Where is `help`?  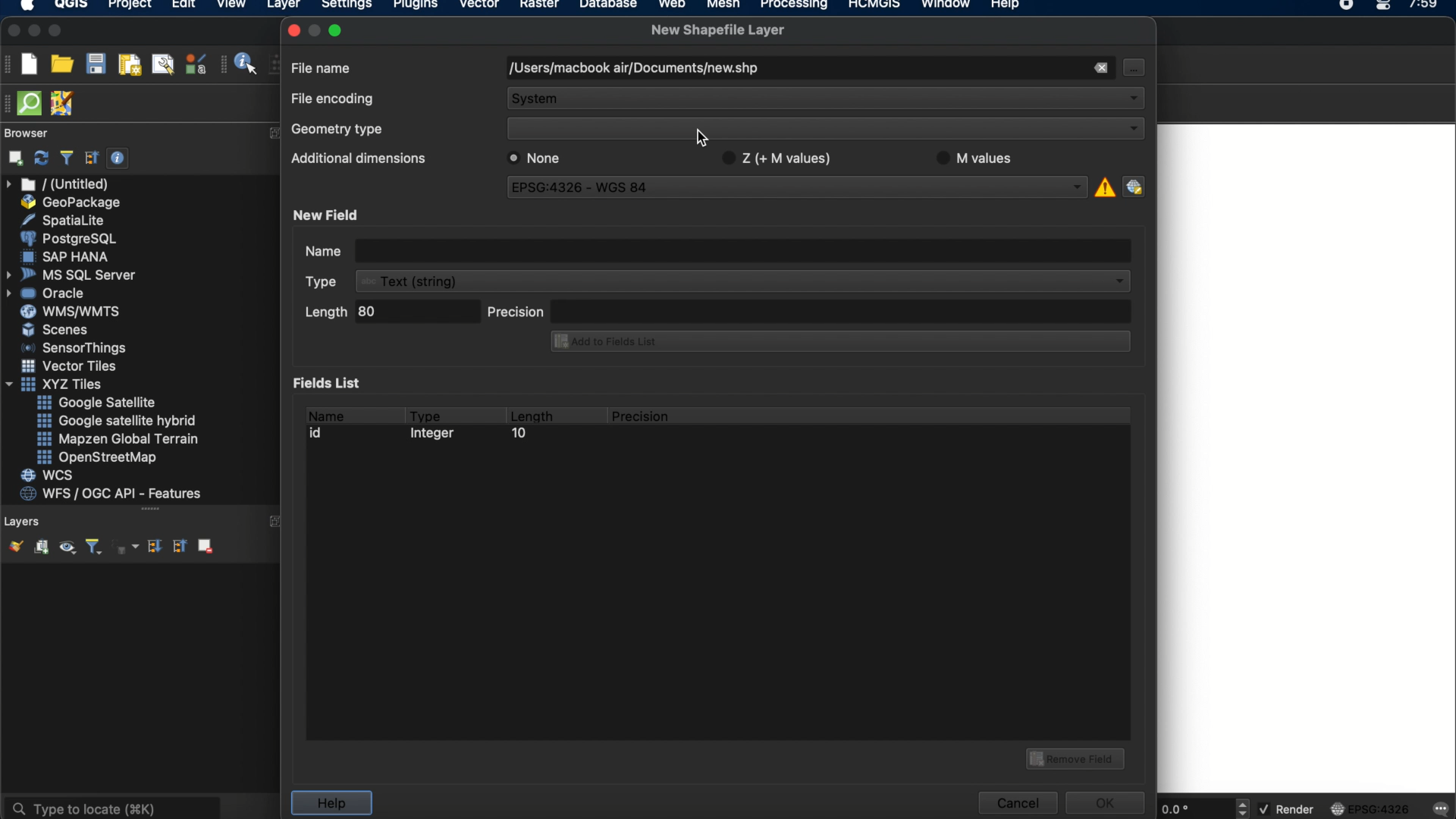 help is located at coordinates (331, 803).